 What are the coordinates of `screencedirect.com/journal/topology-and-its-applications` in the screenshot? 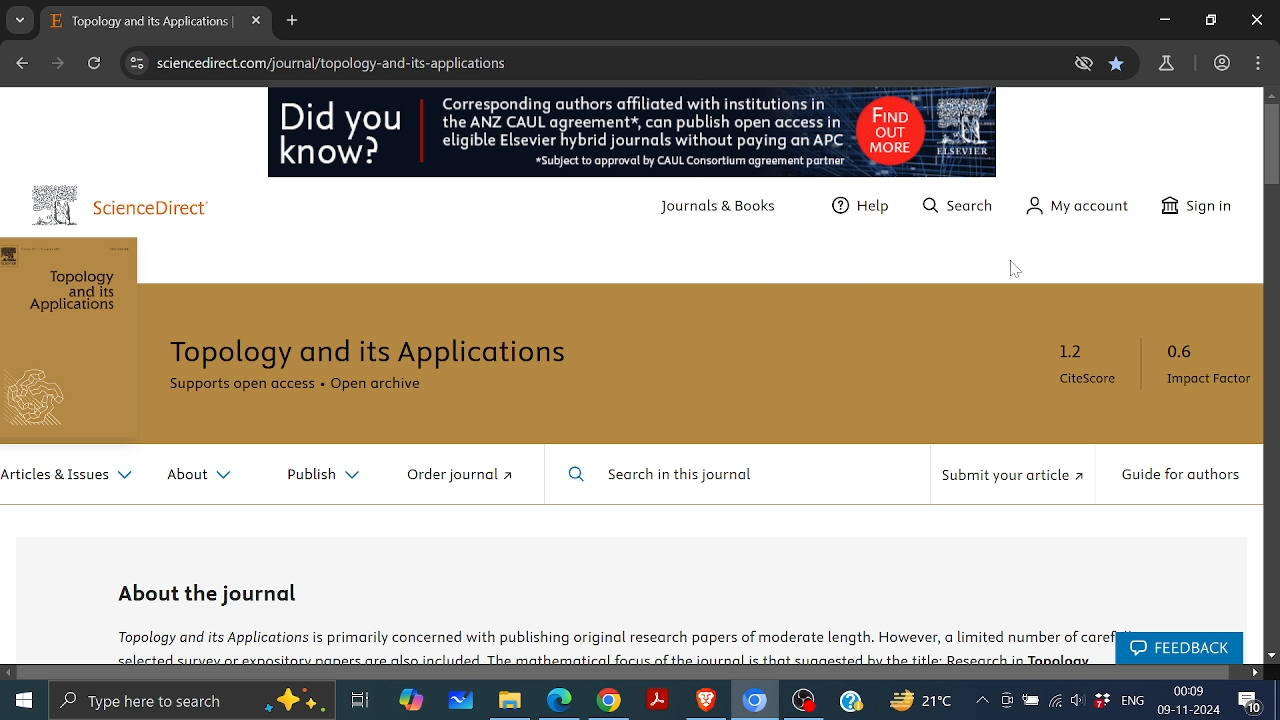 It's located at (338, 64).